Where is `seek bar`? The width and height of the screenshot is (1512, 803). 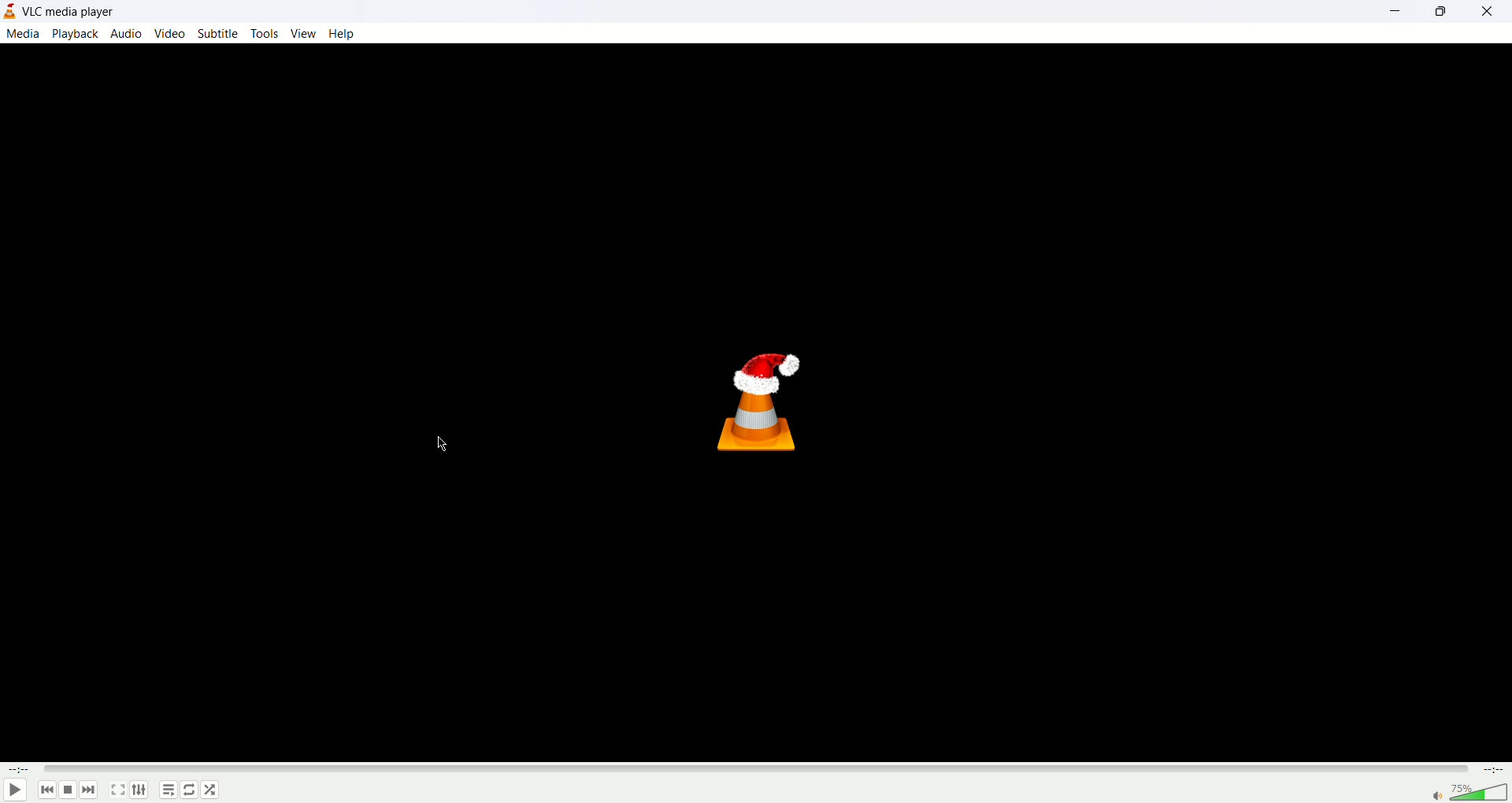
seek bar is located at coordinates (754, 770).